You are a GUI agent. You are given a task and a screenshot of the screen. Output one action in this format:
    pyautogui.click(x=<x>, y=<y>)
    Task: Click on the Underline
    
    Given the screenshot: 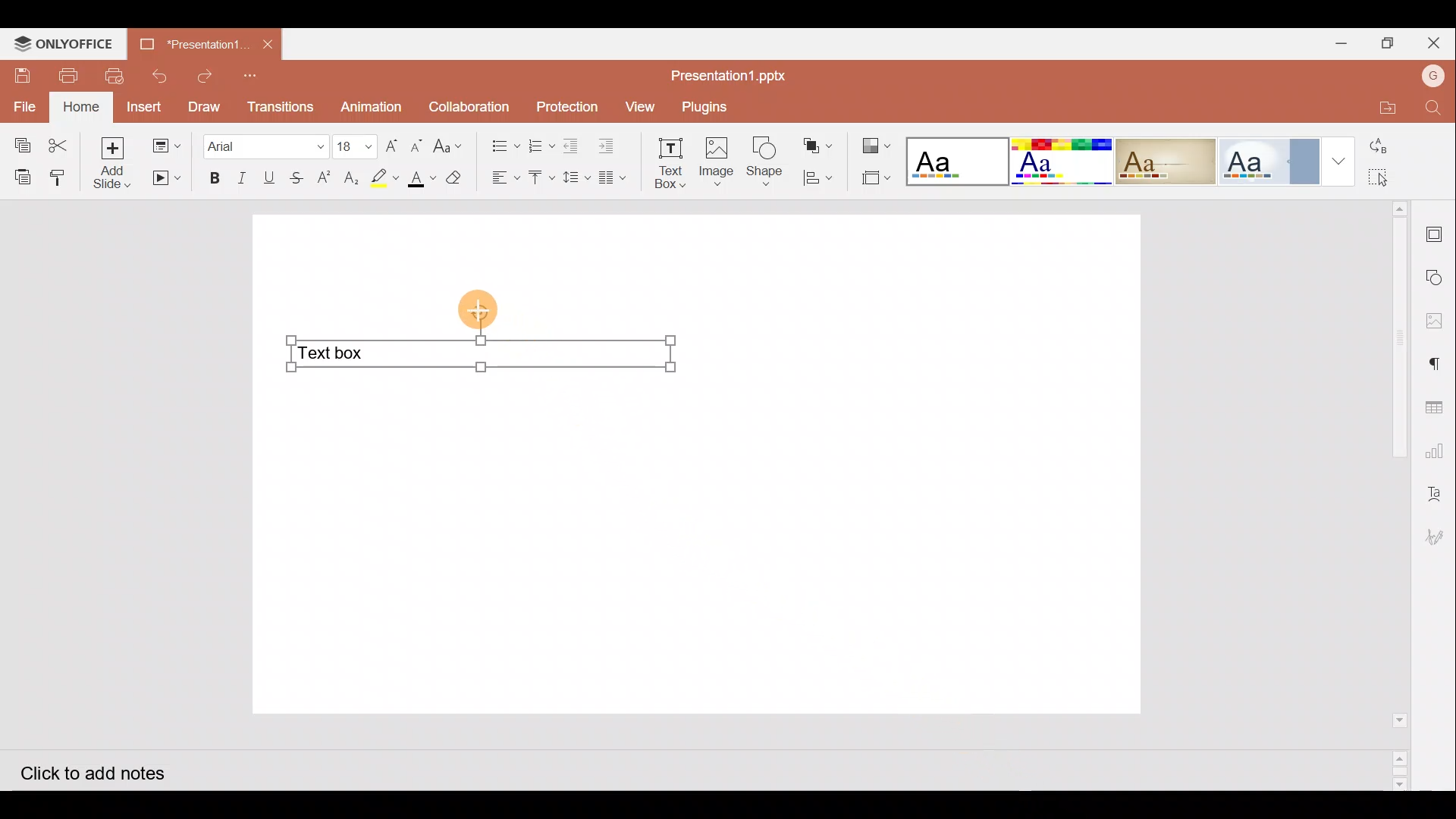 What is the action you would take?
    pyautogui.click(x=269, y=177)
    